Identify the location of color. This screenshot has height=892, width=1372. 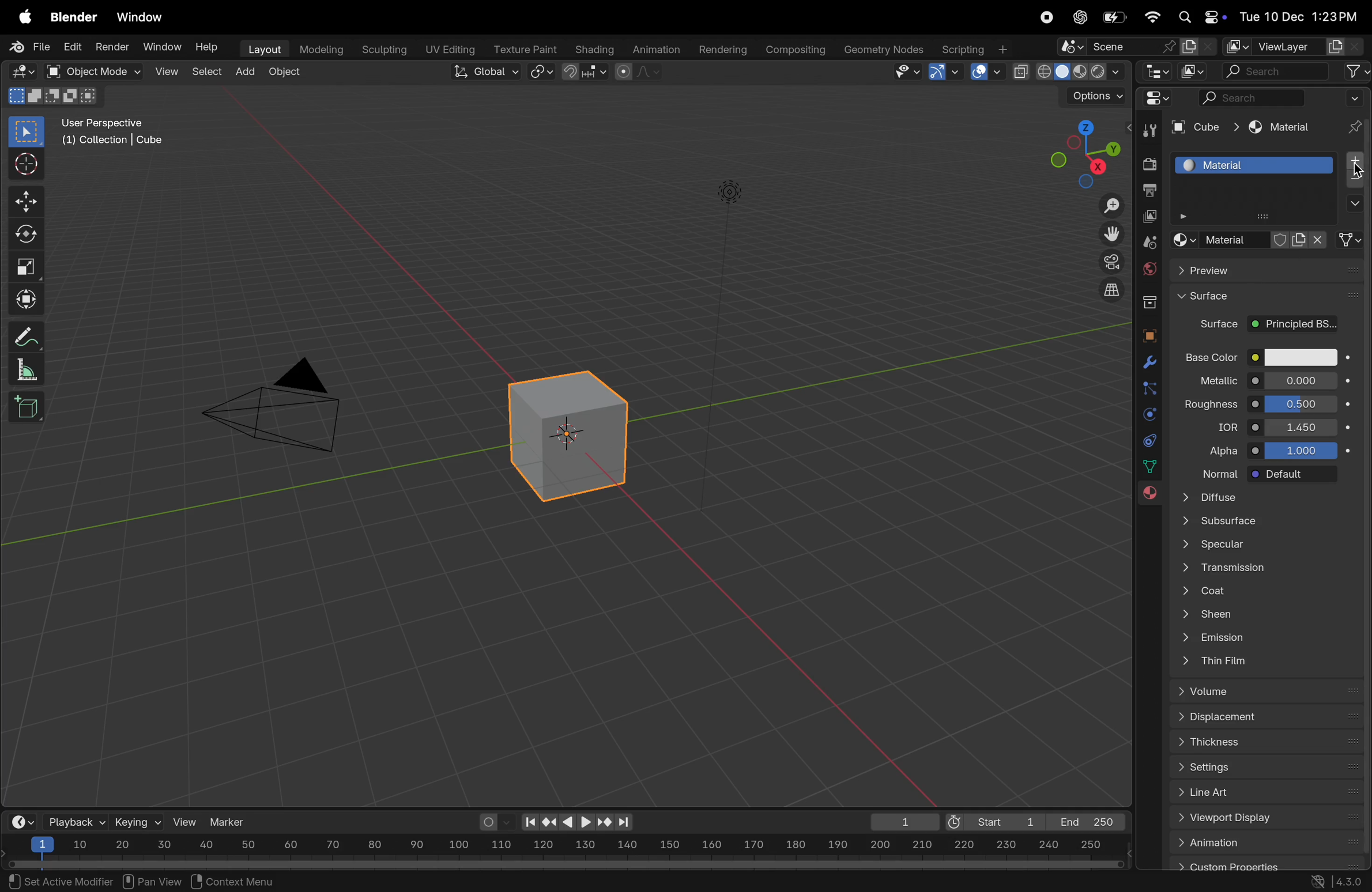
(1298, 359).